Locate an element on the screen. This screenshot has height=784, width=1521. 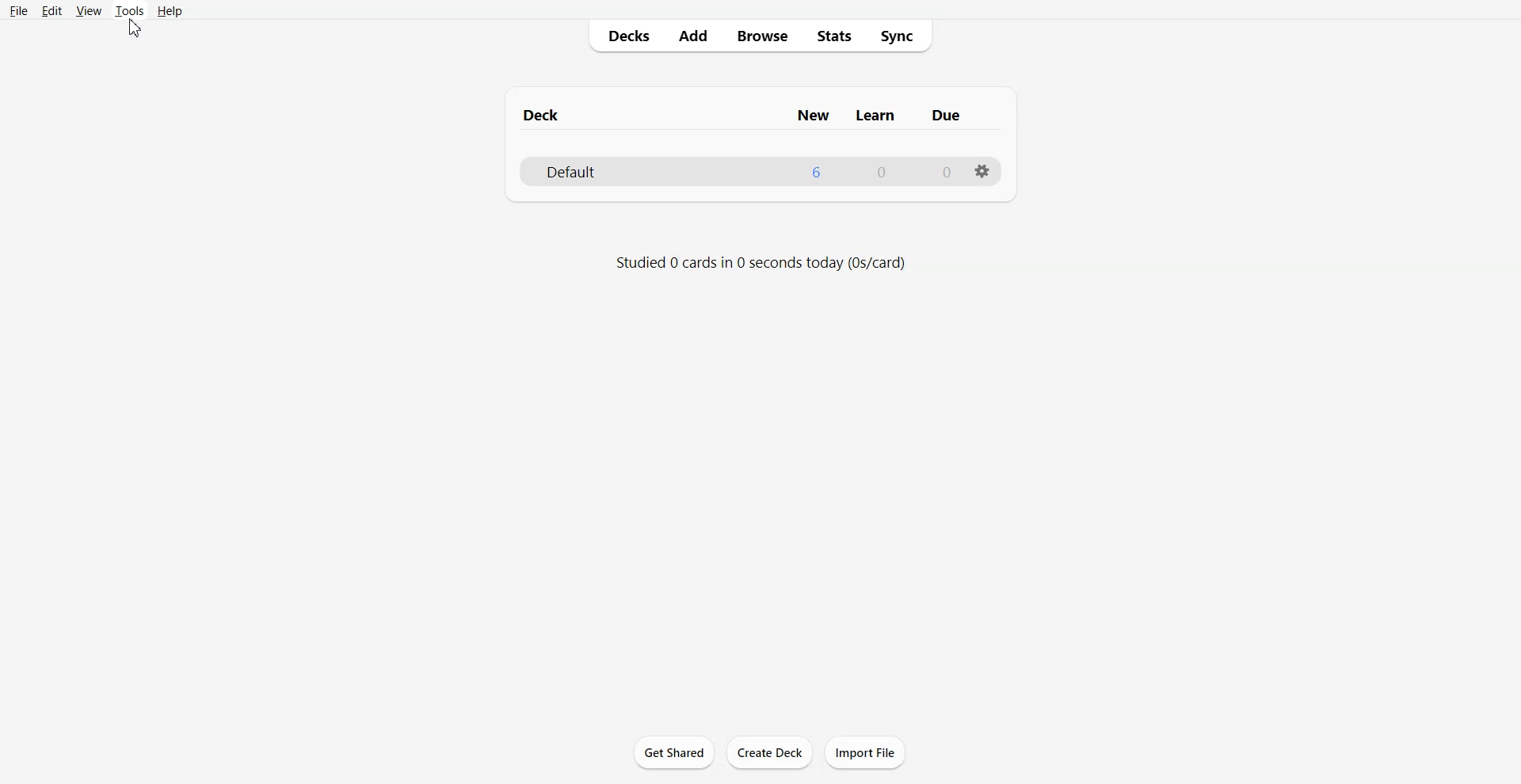
Text 2 is located at coordinates (760, 262).